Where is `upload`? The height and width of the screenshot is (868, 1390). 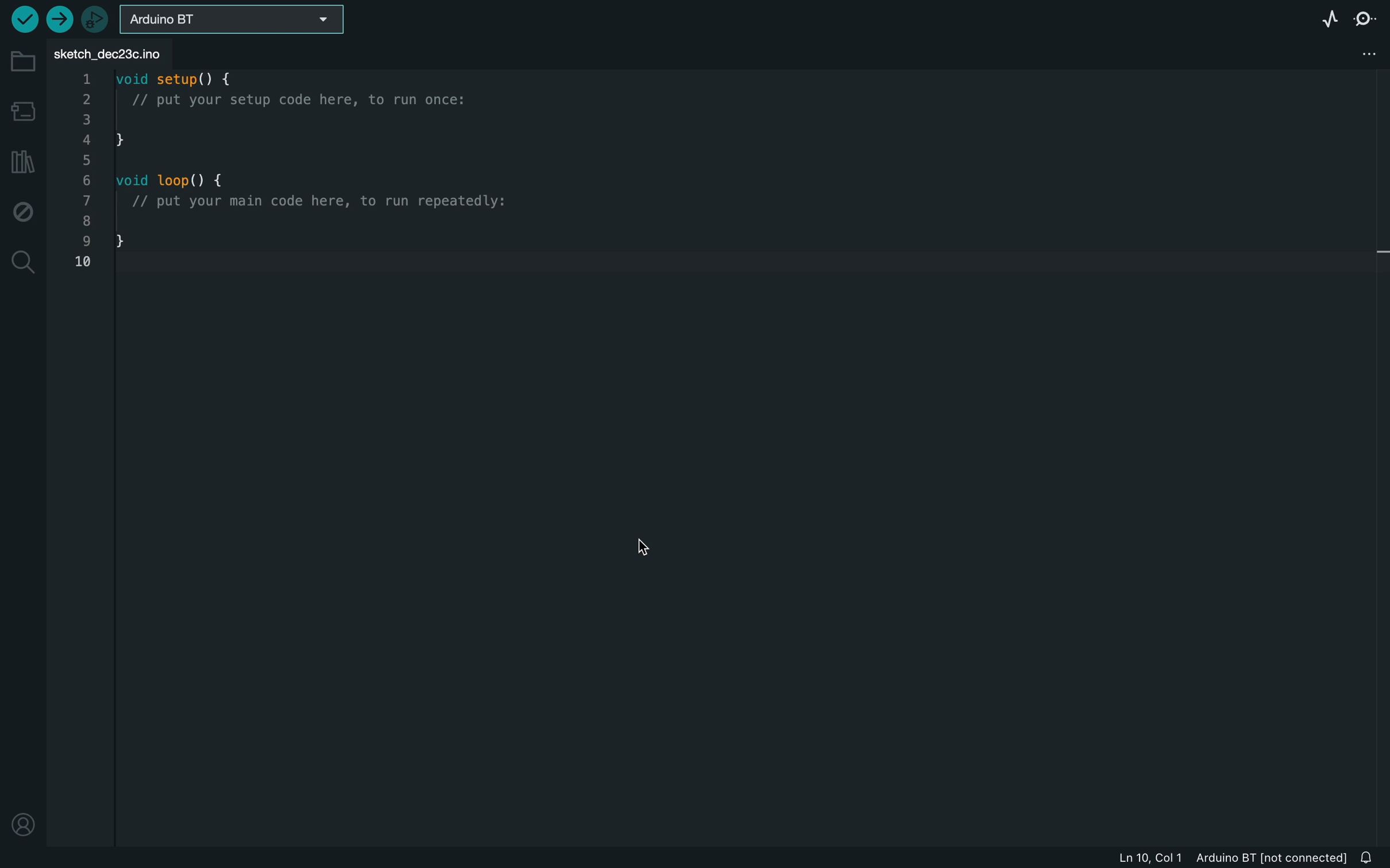 upload is located at coordinates (59, 18).